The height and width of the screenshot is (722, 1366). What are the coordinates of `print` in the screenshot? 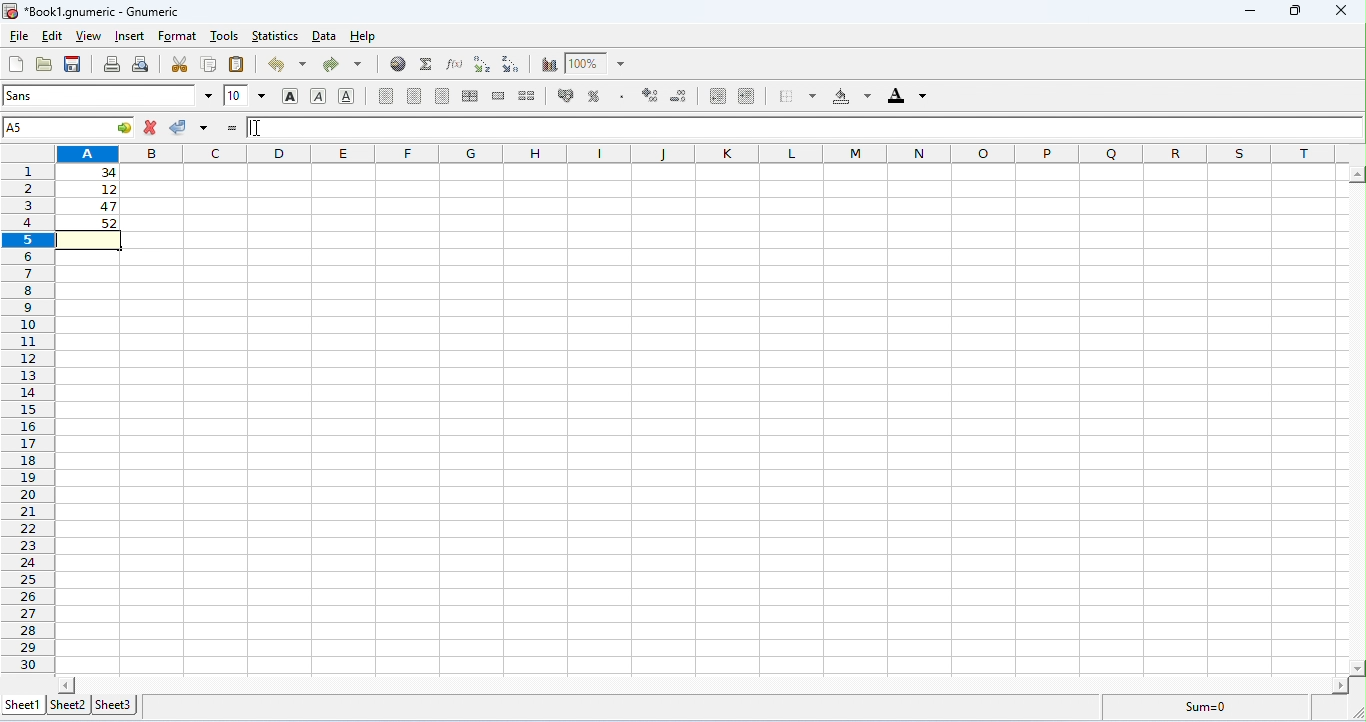 It's located at (112, 64).